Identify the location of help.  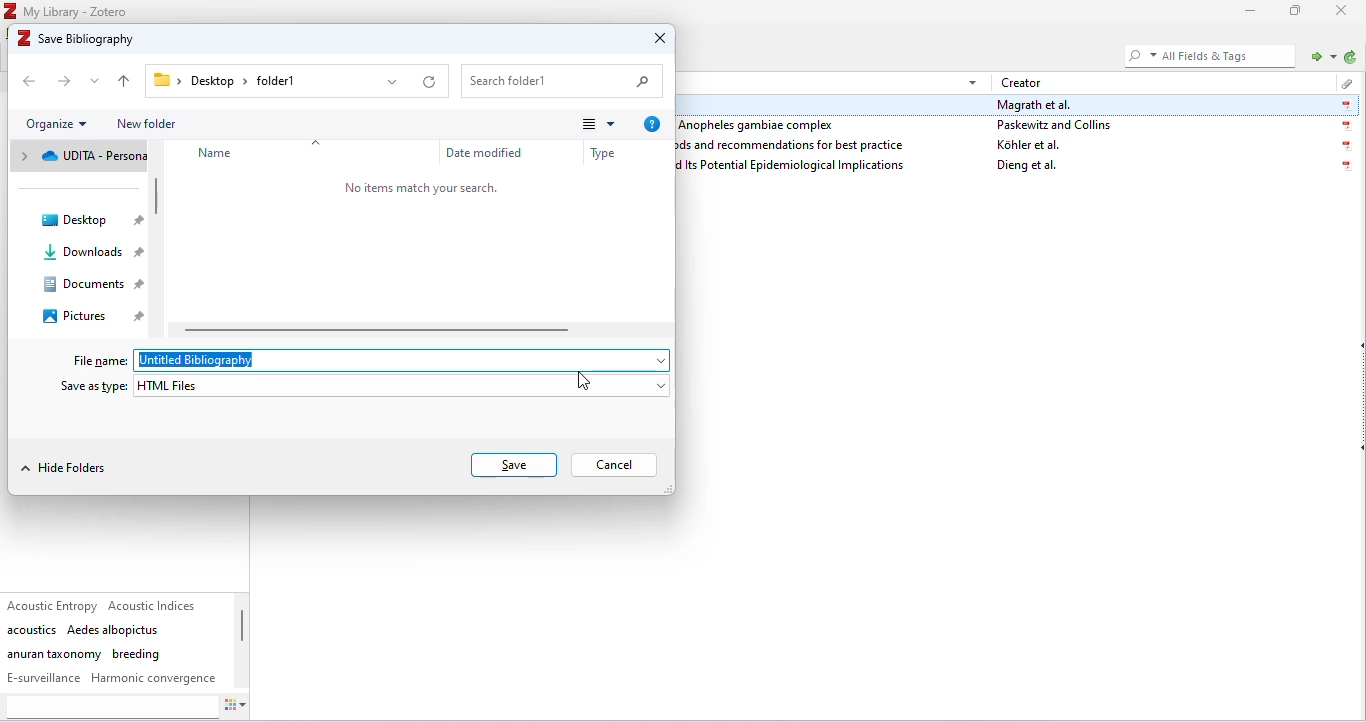
(654, 125).